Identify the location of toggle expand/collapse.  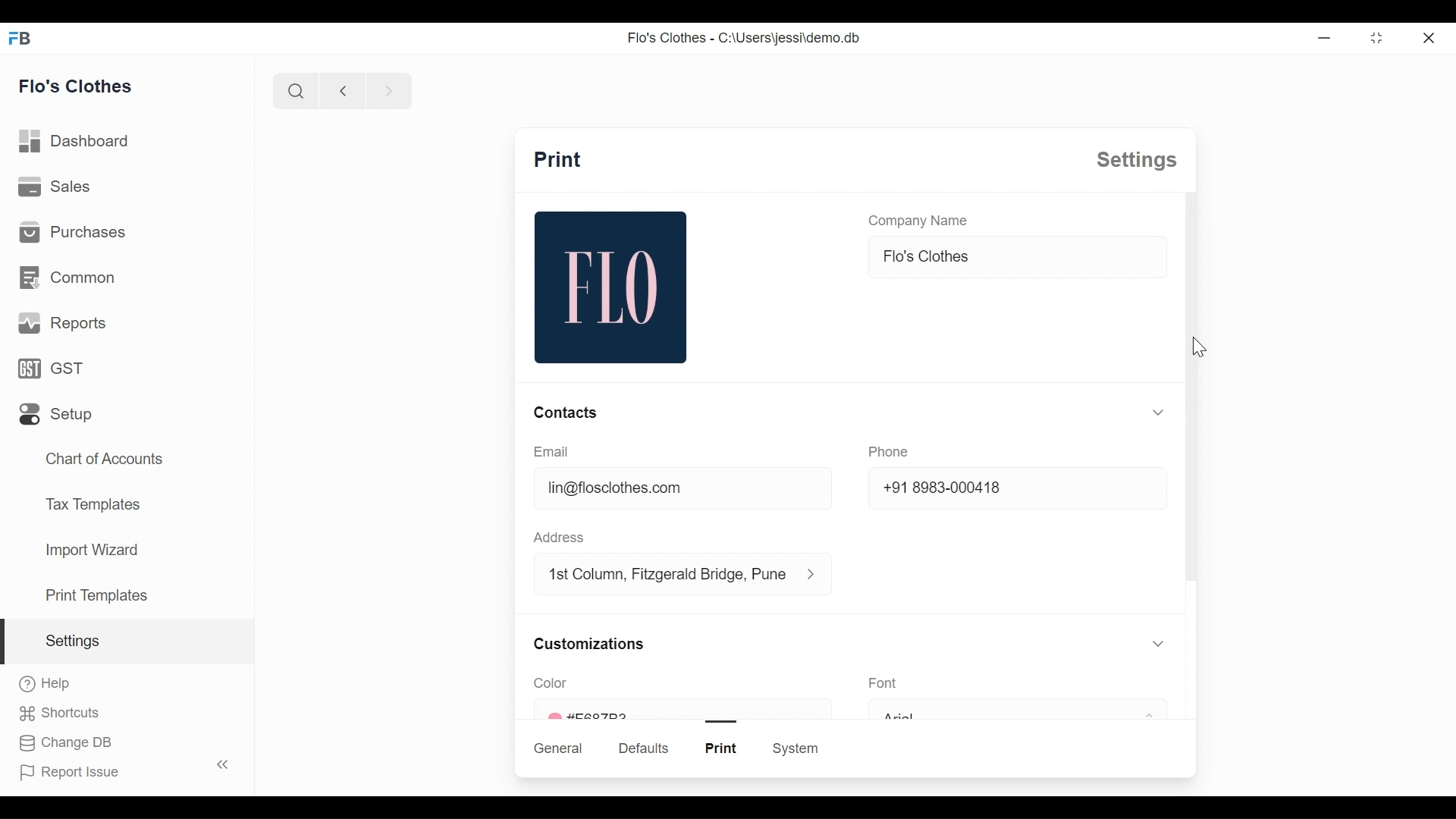
(1158, 645).